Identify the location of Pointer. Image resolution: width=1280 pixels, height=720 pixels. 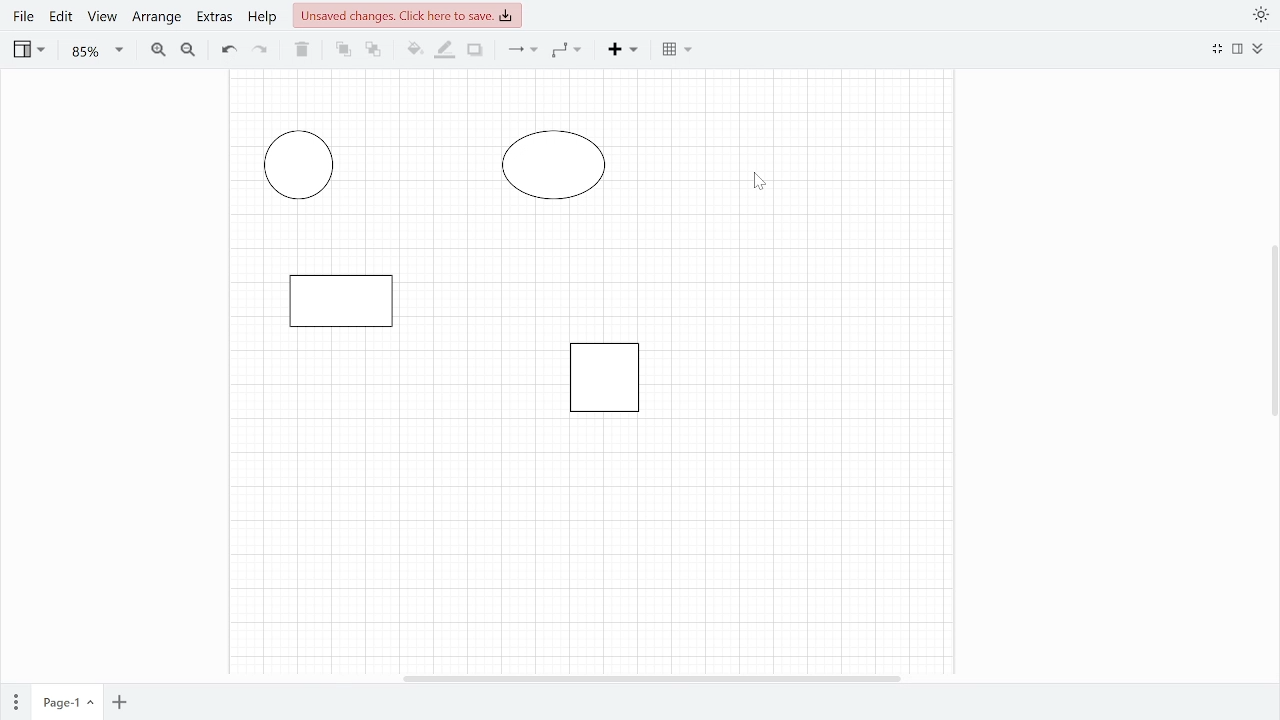
(759, 183).